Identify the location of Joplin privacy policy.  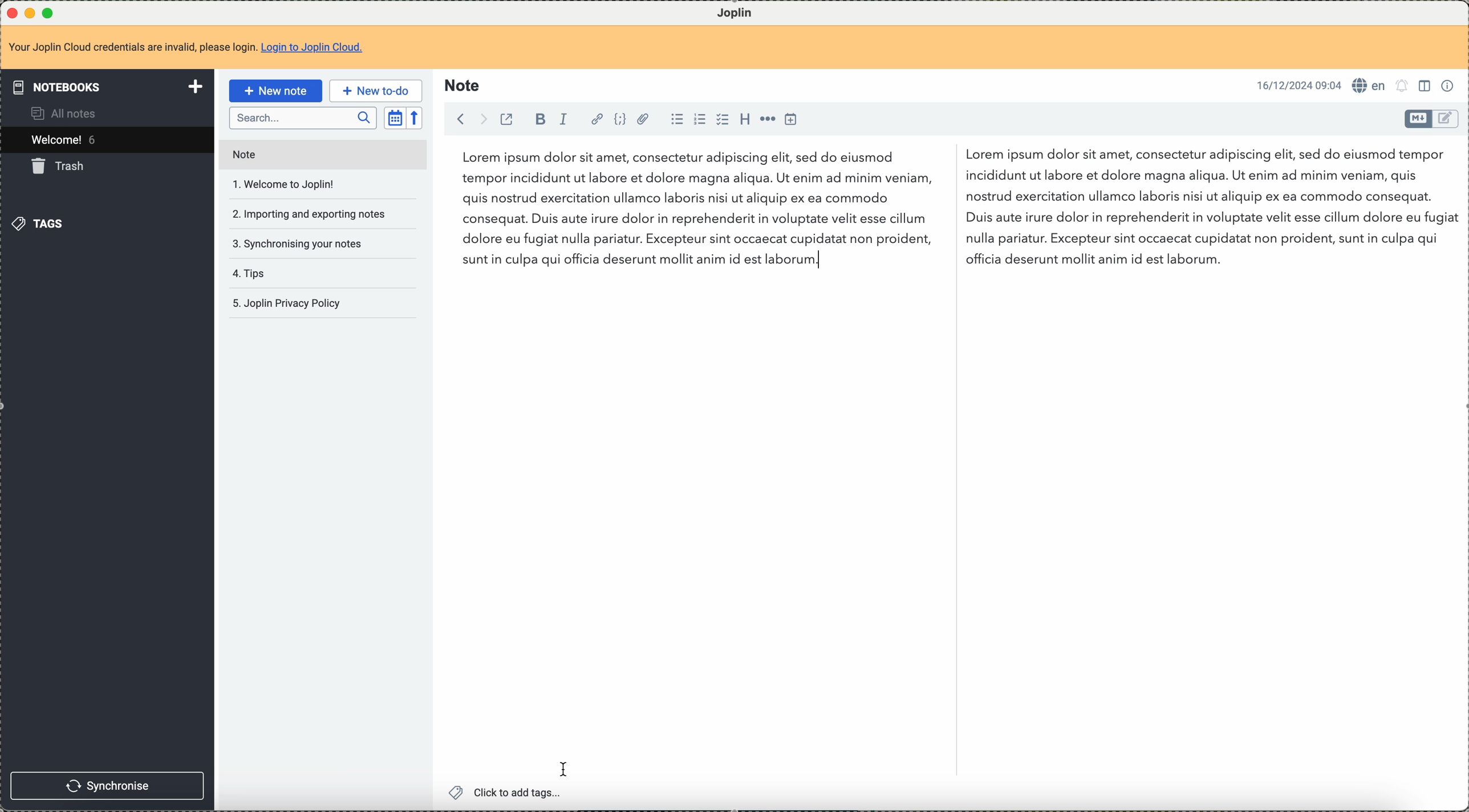
(288, 302).